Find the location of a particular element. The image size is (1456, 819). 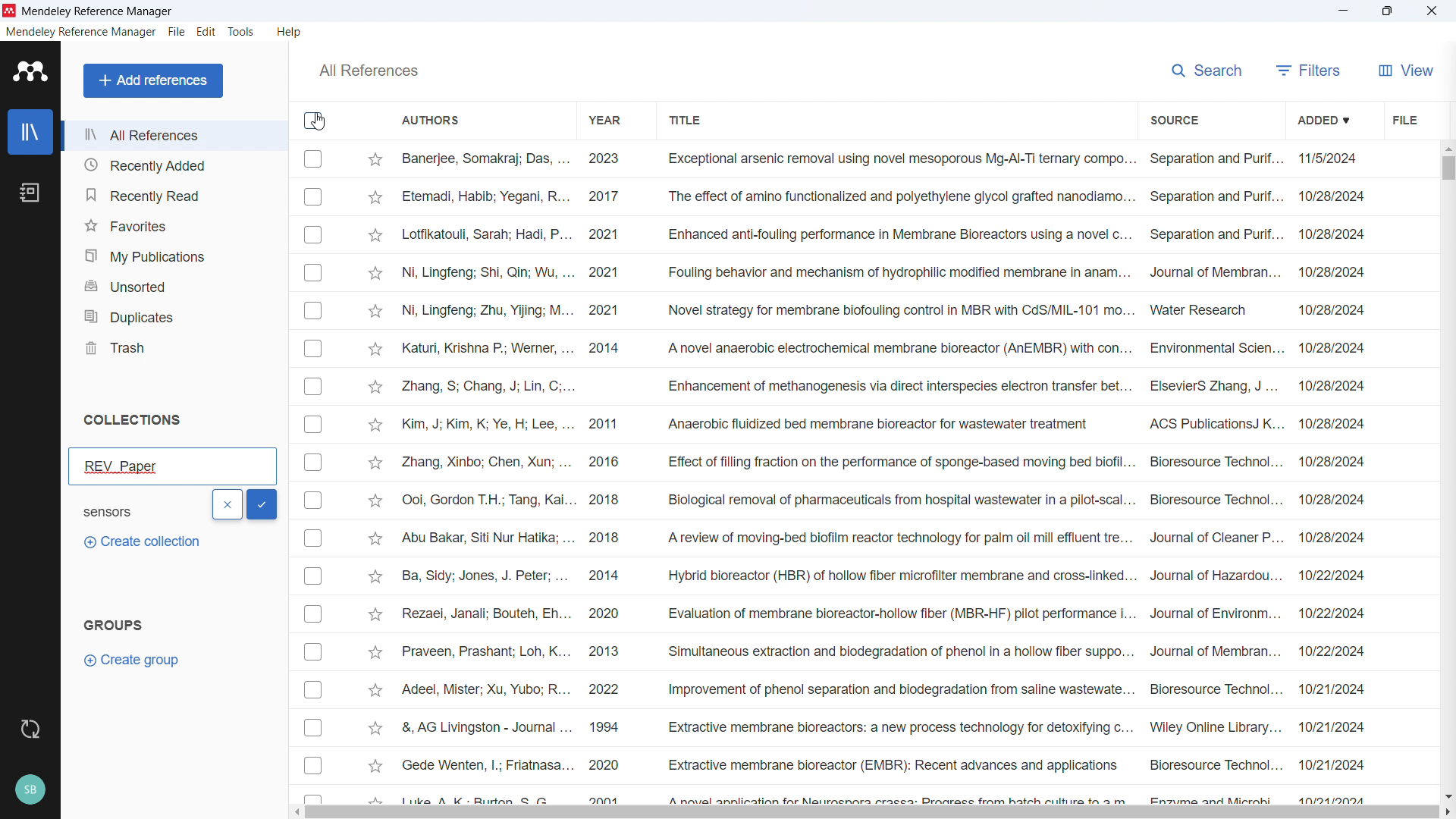

Search  is located at coordinates (1207, 68).